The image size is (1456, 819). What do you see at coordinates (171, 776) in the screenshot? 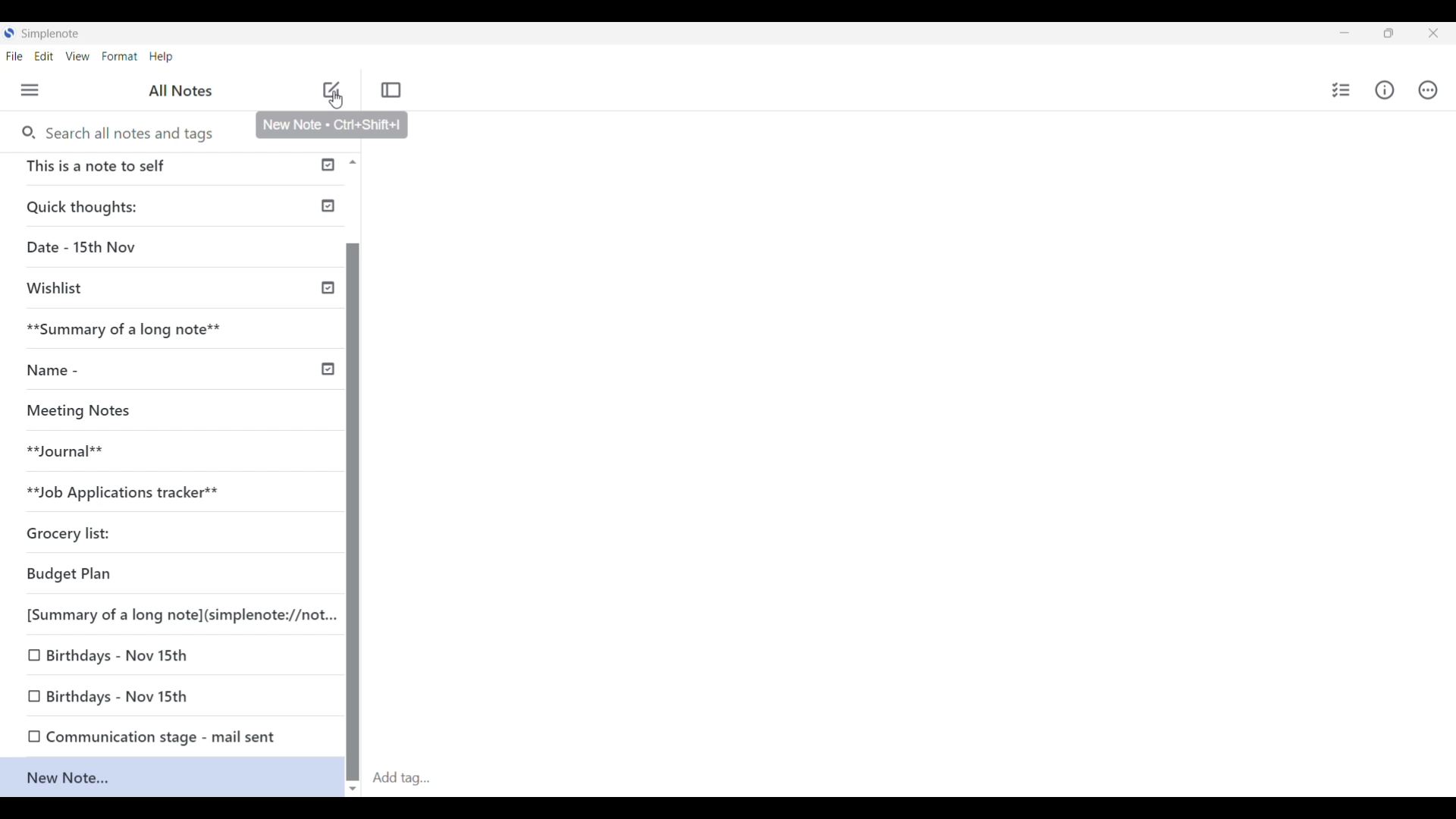
I see `Current note` at bounding box center [171, 776].